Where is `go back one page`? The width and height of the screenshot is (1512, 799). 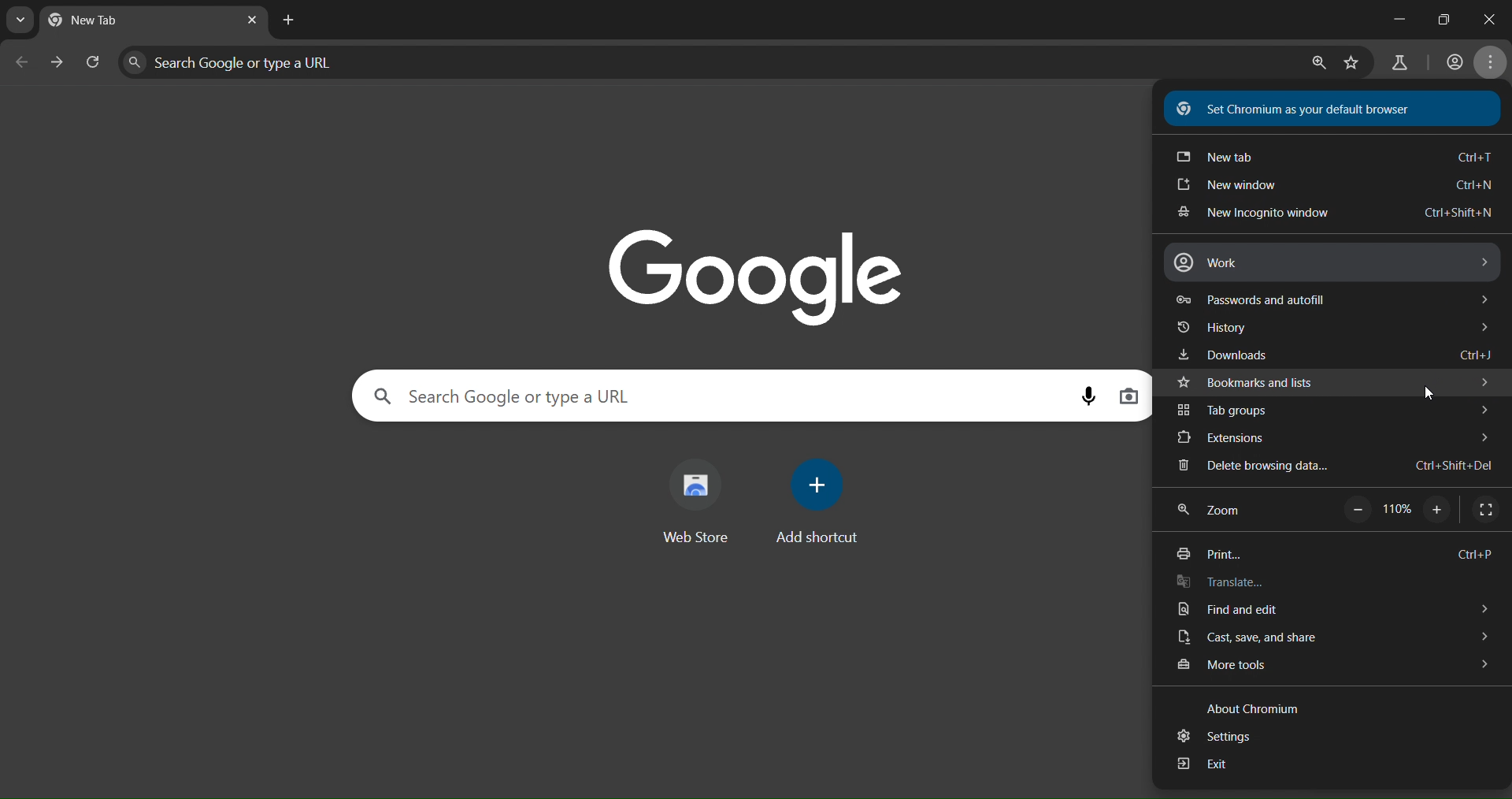 go back one page is located at coordinates (23, 61).